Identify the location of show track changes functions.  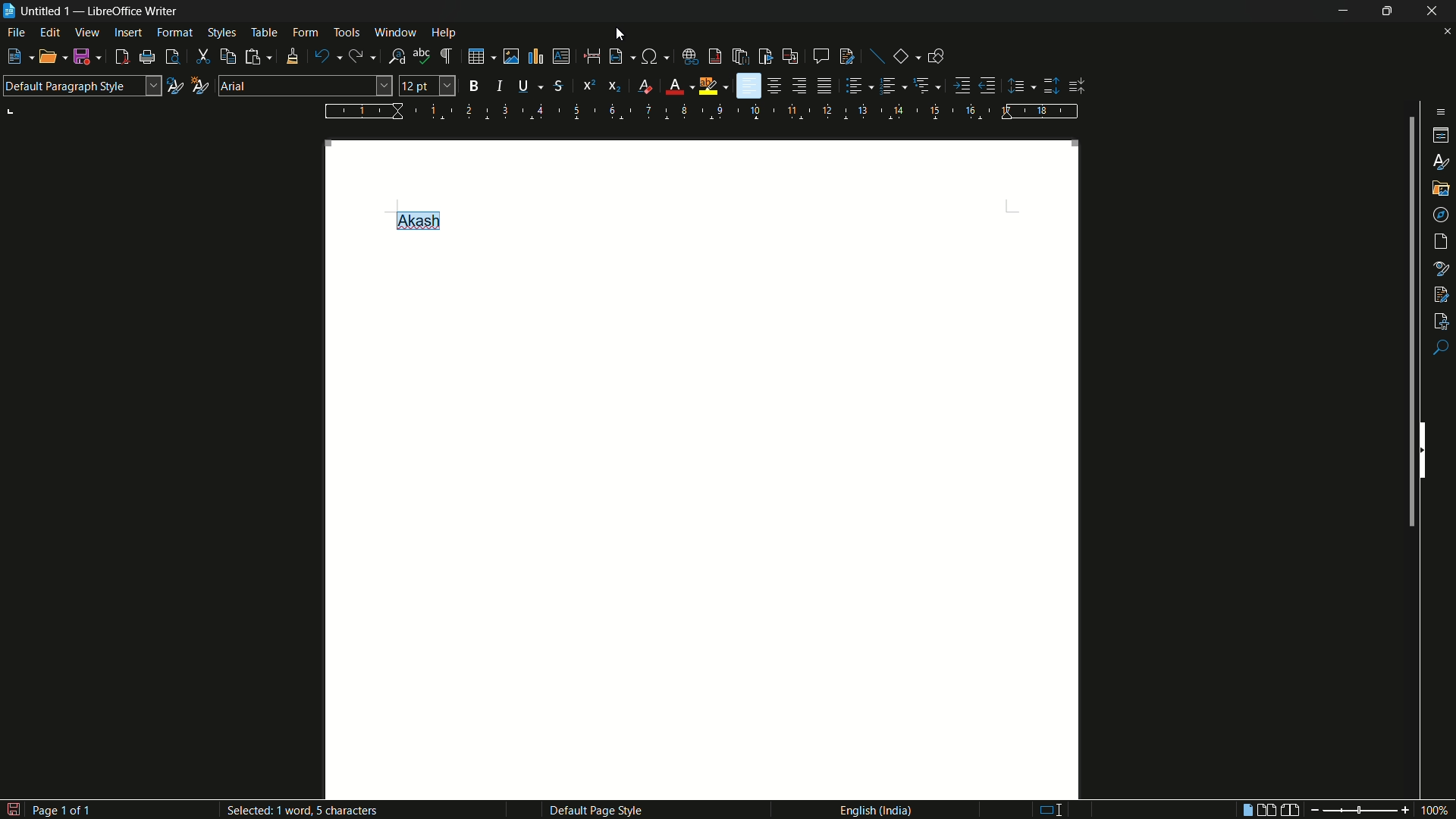
(848, 56).